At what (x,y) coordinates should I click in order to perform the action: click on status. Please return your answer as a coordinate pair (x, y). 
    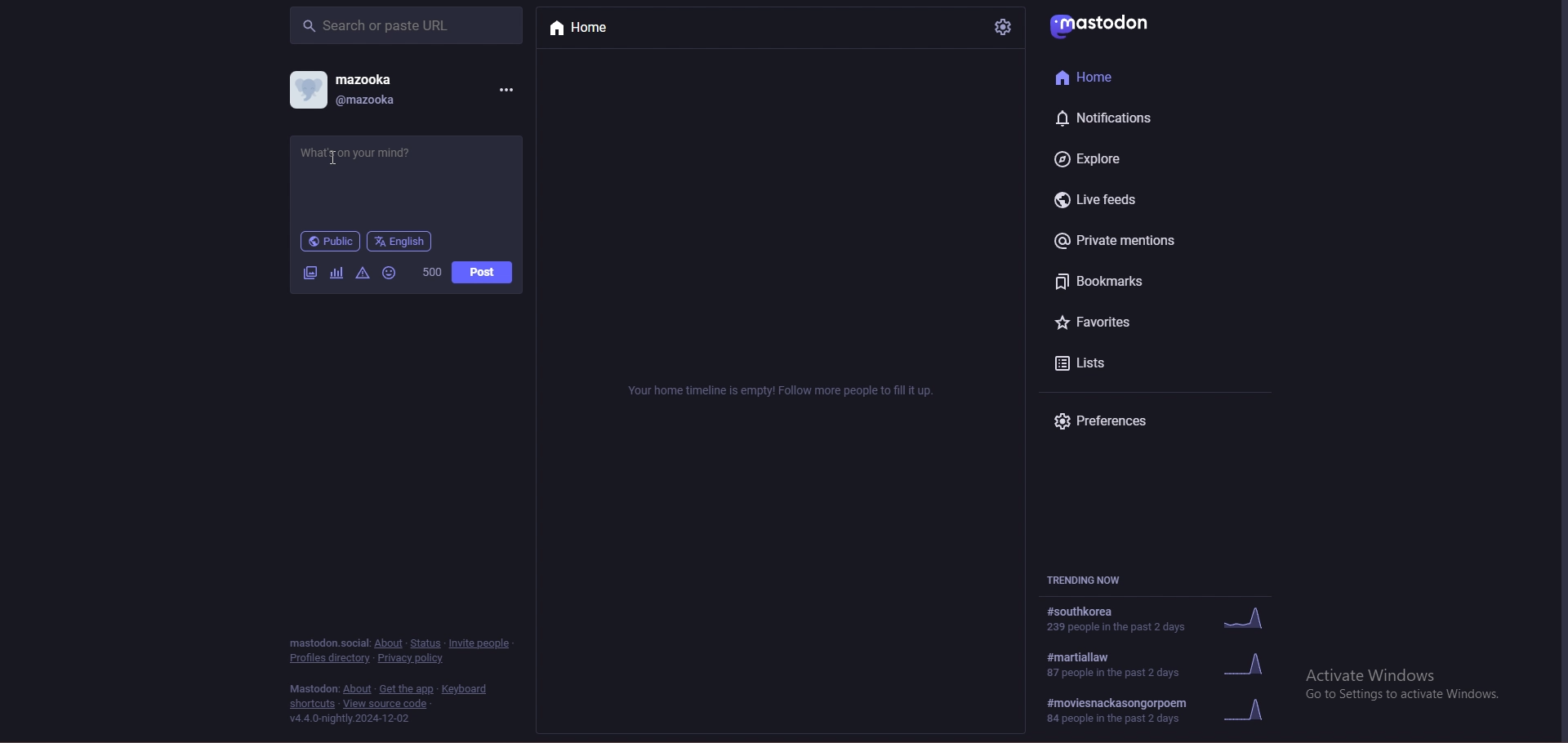
    Looking at the image, I should click on (426, 643).